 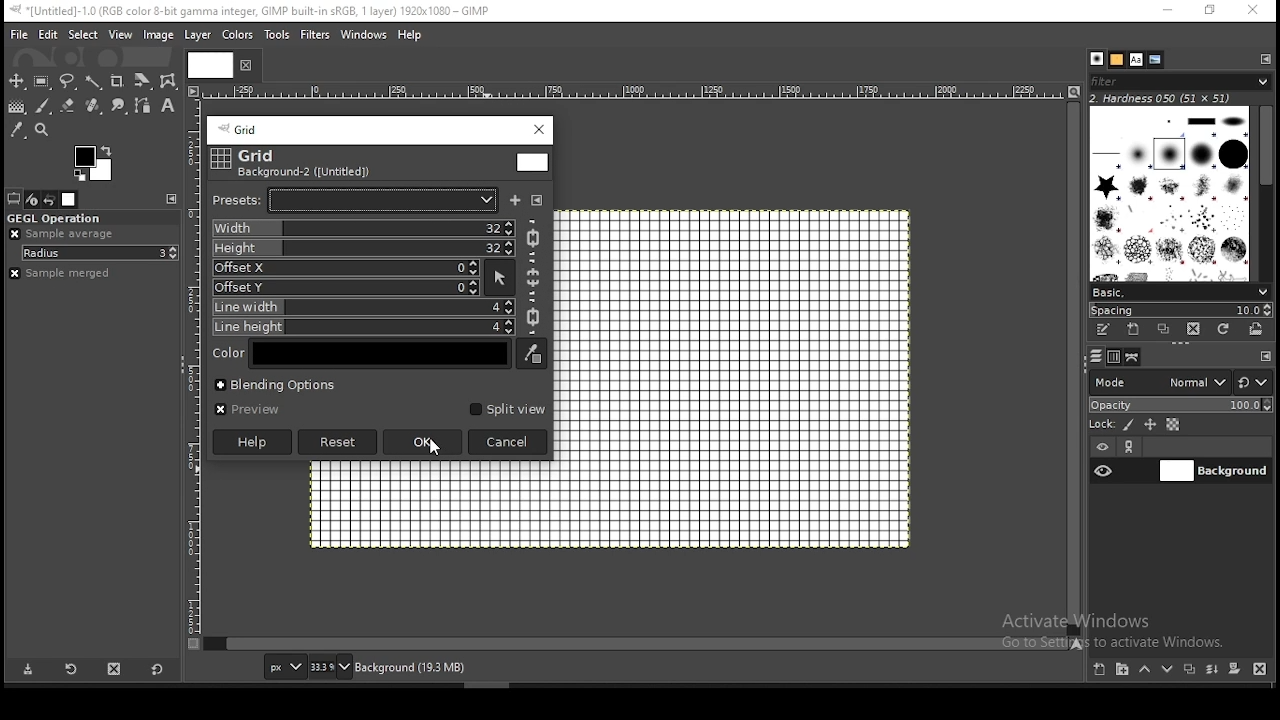 What do you see at coordinates (1255, 12) in the screenshot?
I see `close window` at bounding box center [1255, 12].